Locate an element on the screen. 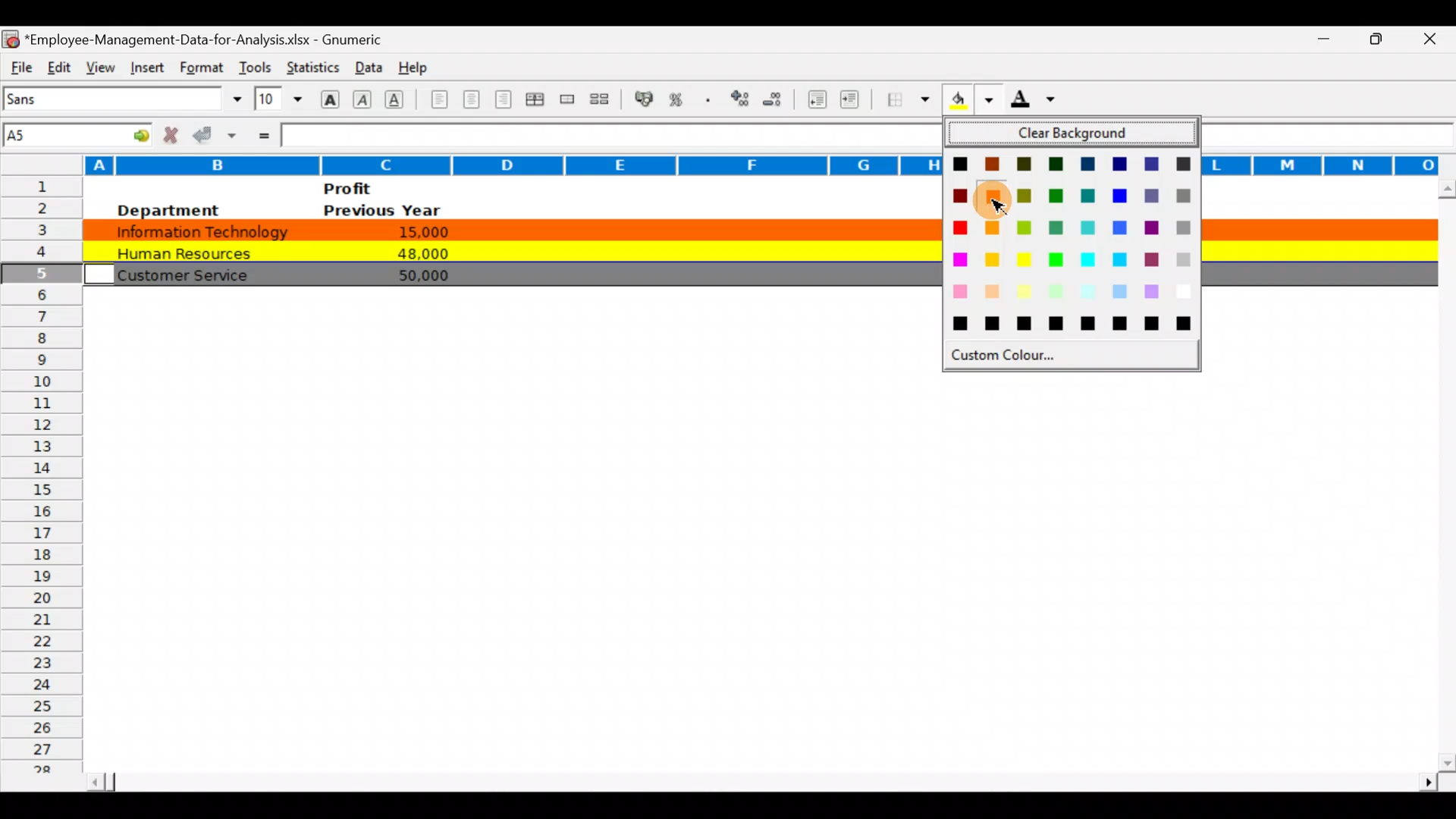  Profit is located at coordinates (376, 188).